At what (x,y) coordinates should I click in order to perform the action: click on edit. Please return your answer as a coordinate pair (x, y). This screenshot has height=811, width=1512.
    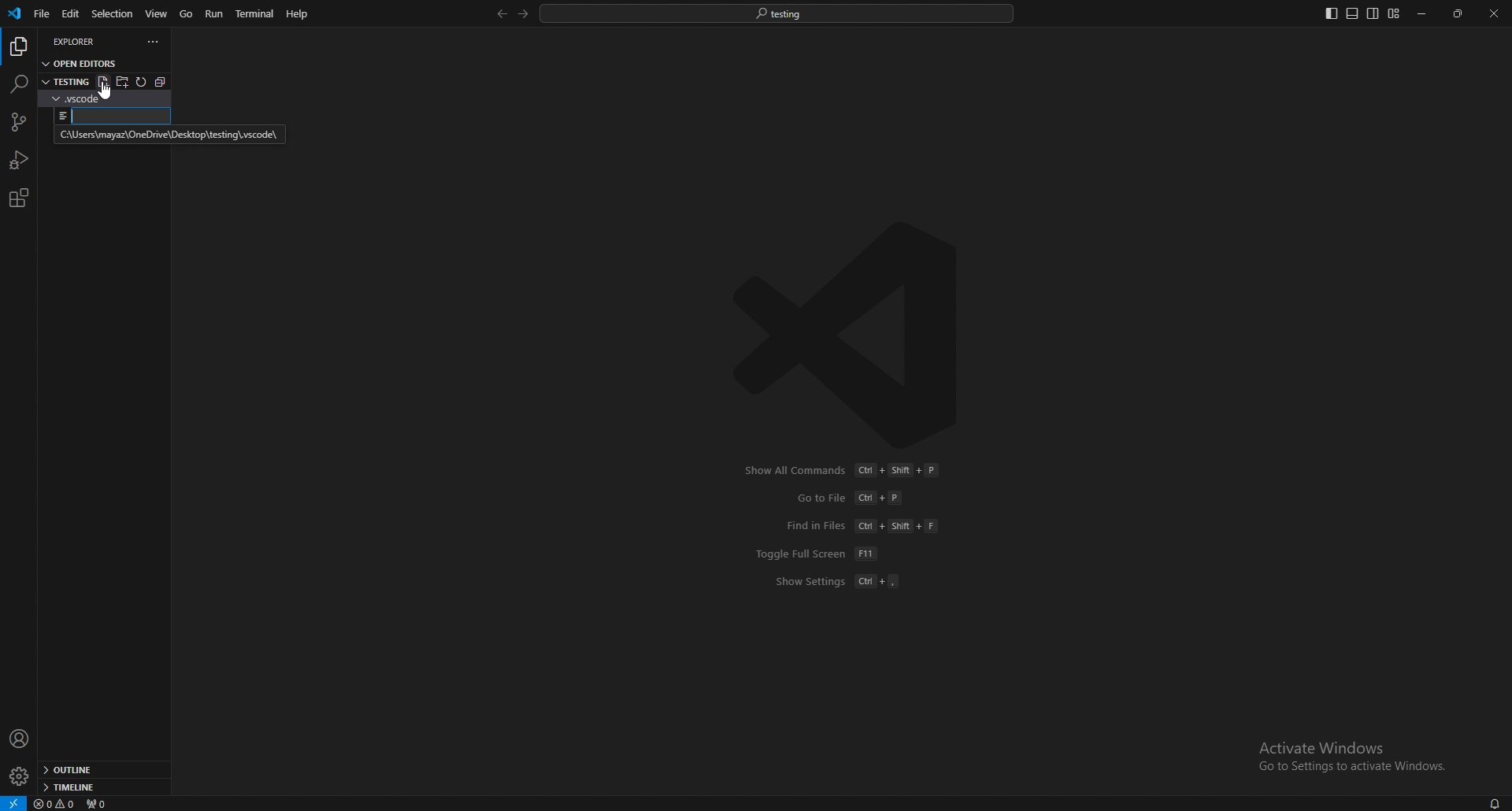
    Looking at the image, I should click on (69, 14).